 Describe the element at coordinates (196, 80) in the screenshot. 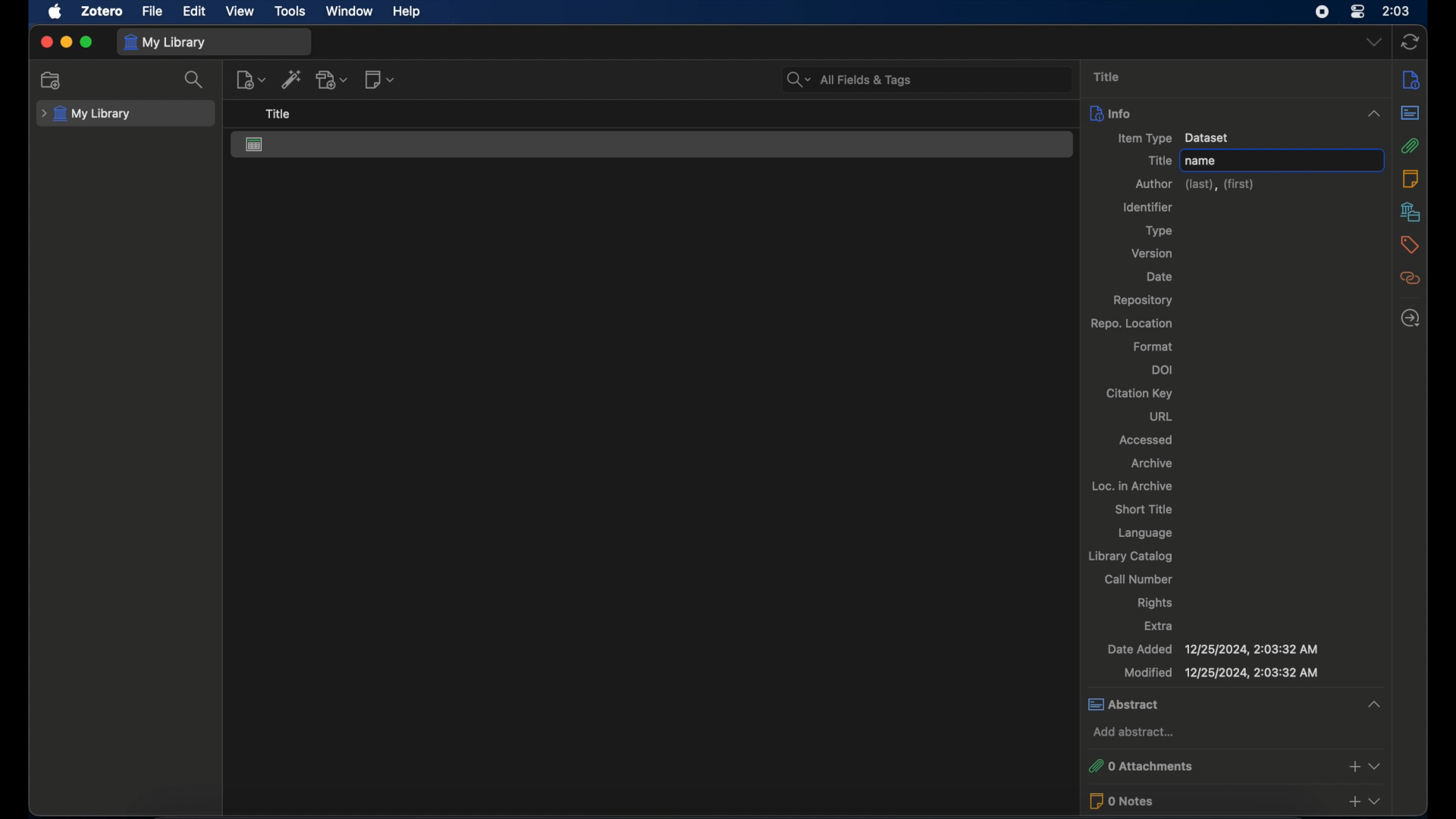

I see `search` at that location.